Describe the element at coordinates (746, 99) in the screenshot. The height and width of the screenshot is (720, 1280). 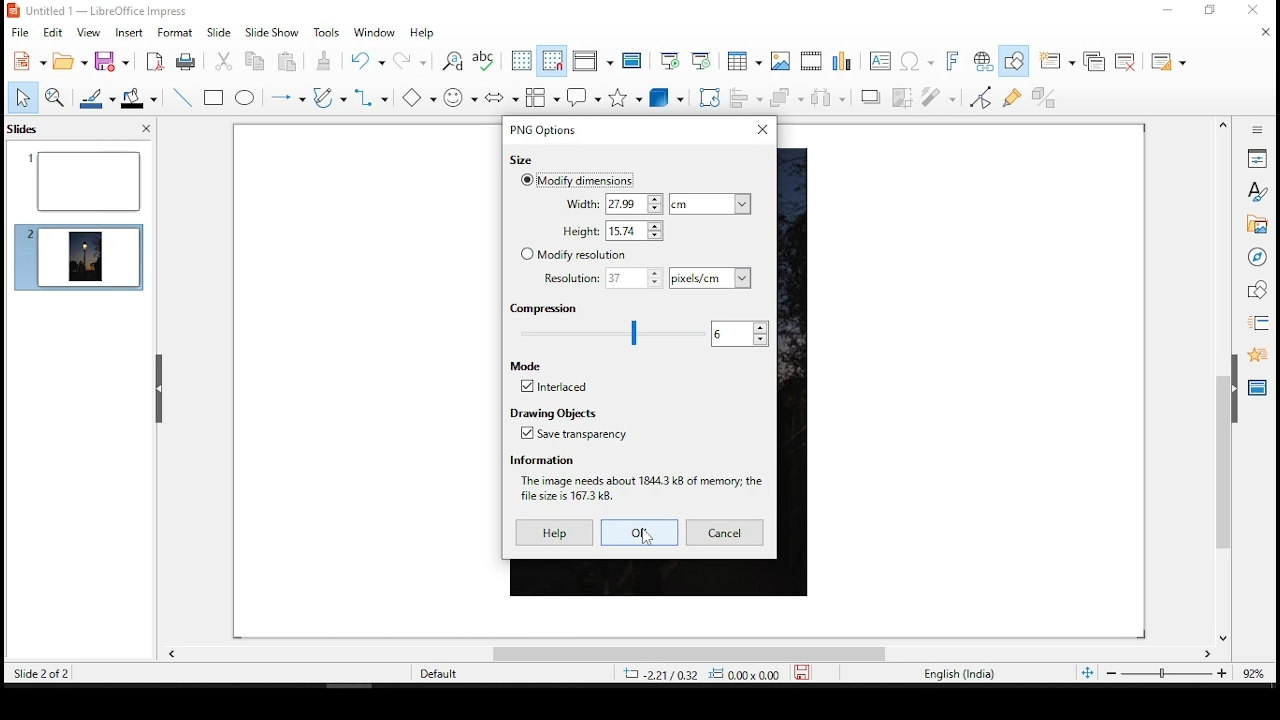
I see `align objects` at that location.